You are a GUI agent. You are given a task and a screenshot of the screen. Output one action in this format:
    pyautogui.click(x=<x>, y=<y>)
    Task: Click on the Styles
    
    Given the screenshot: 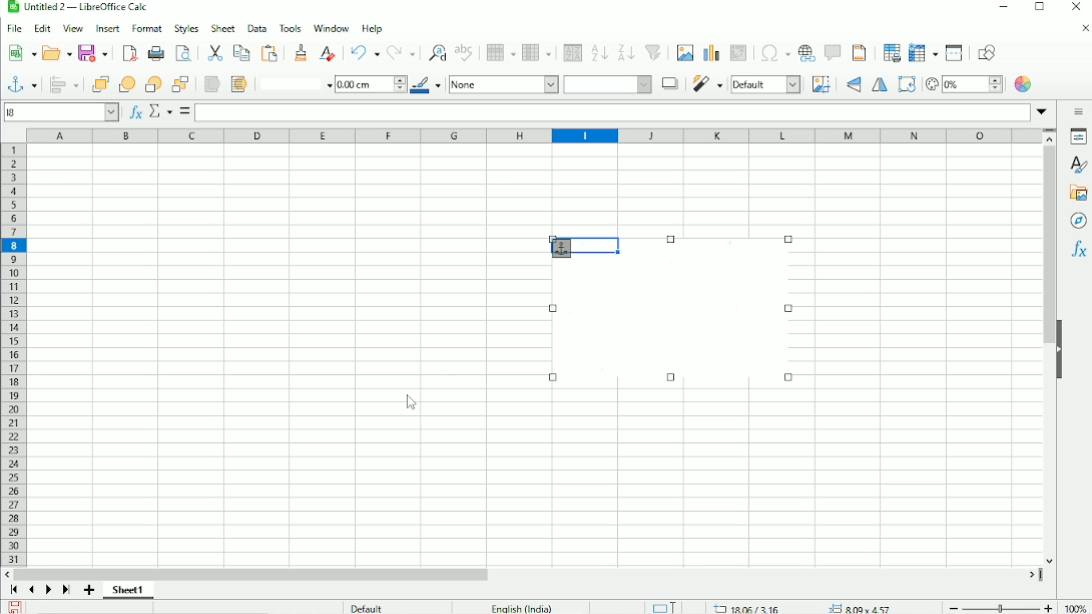 What is the action you would take?
    pyautogui.click(x=184, y=28)
    